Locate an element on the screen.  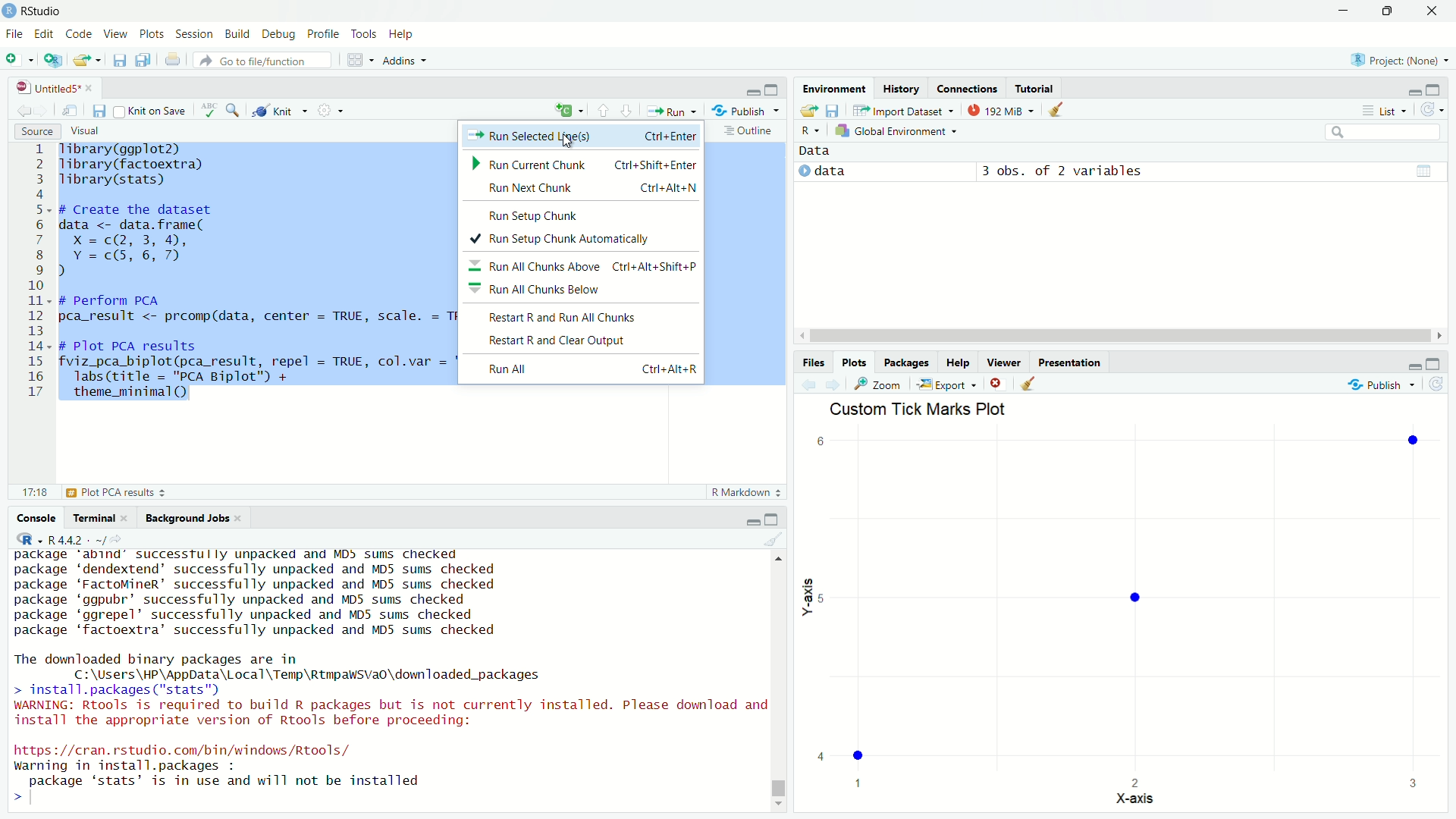
search is located at coordinates (1385, 132).